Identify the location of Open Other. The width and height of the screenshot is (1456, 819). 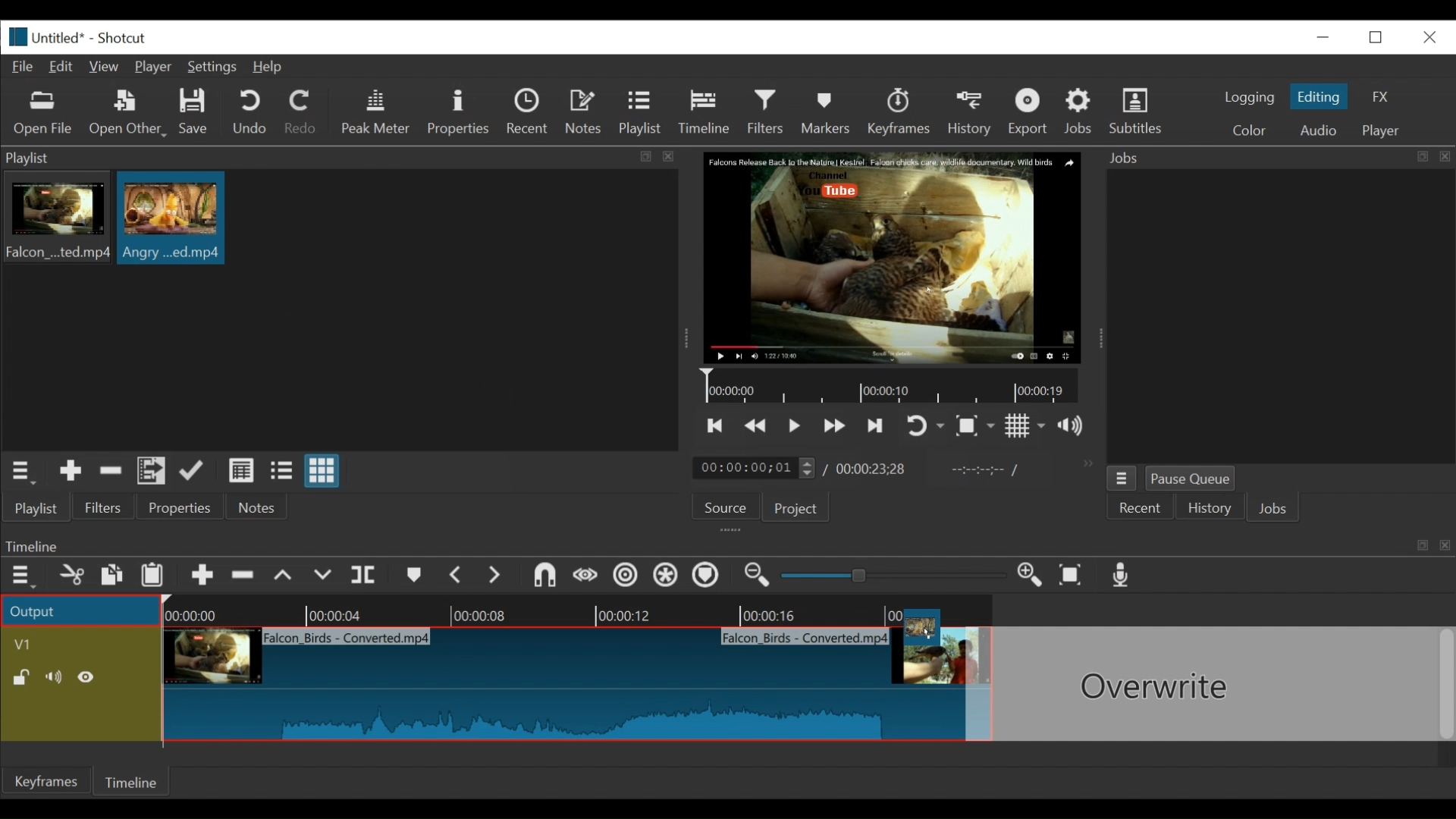
(129, 114).